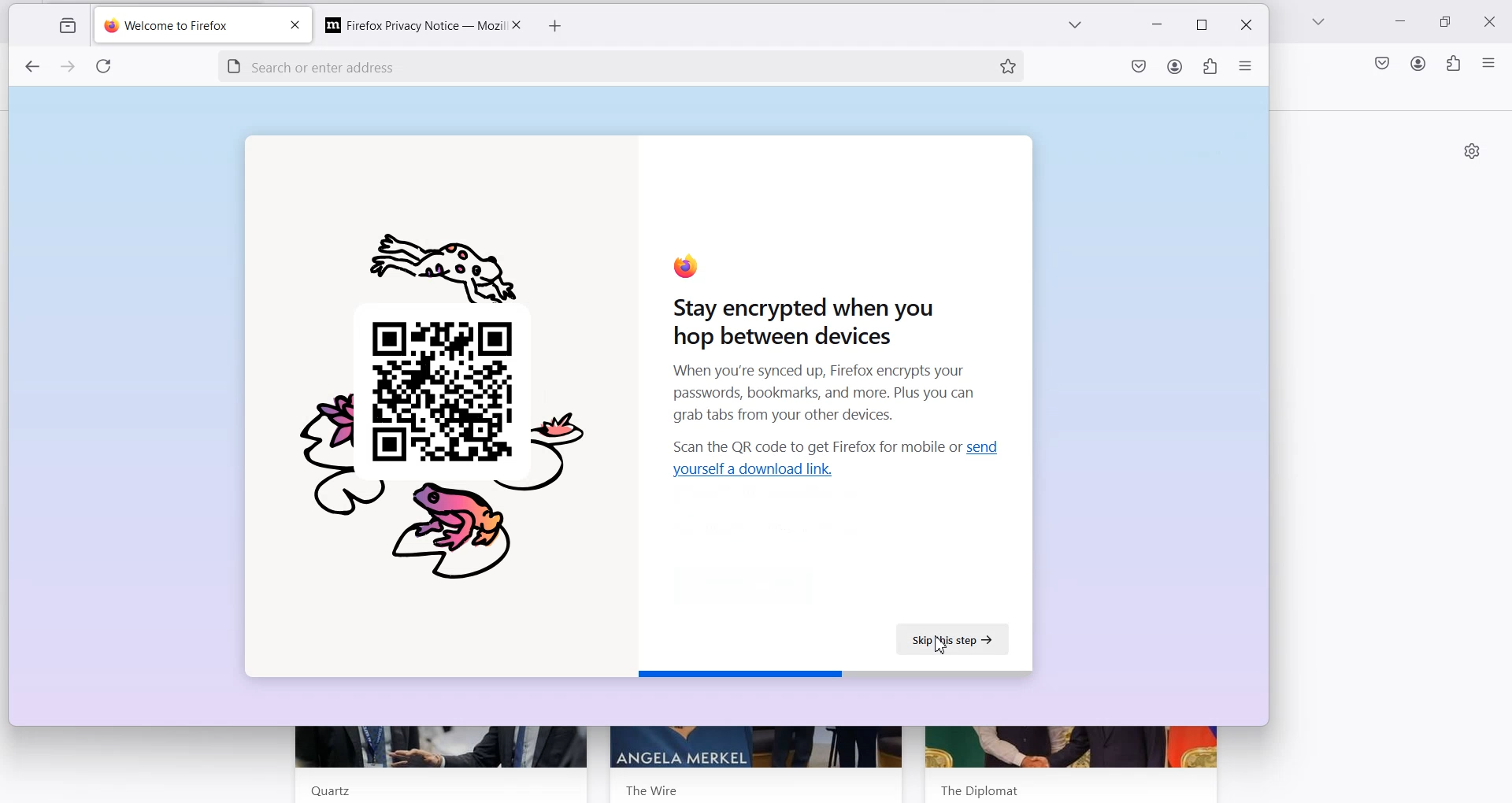 The width and height of the screenshot is (1512, 803). Describe the element at coordinates (1246, 69) in the screenshot. I see `open application menu` at that location.